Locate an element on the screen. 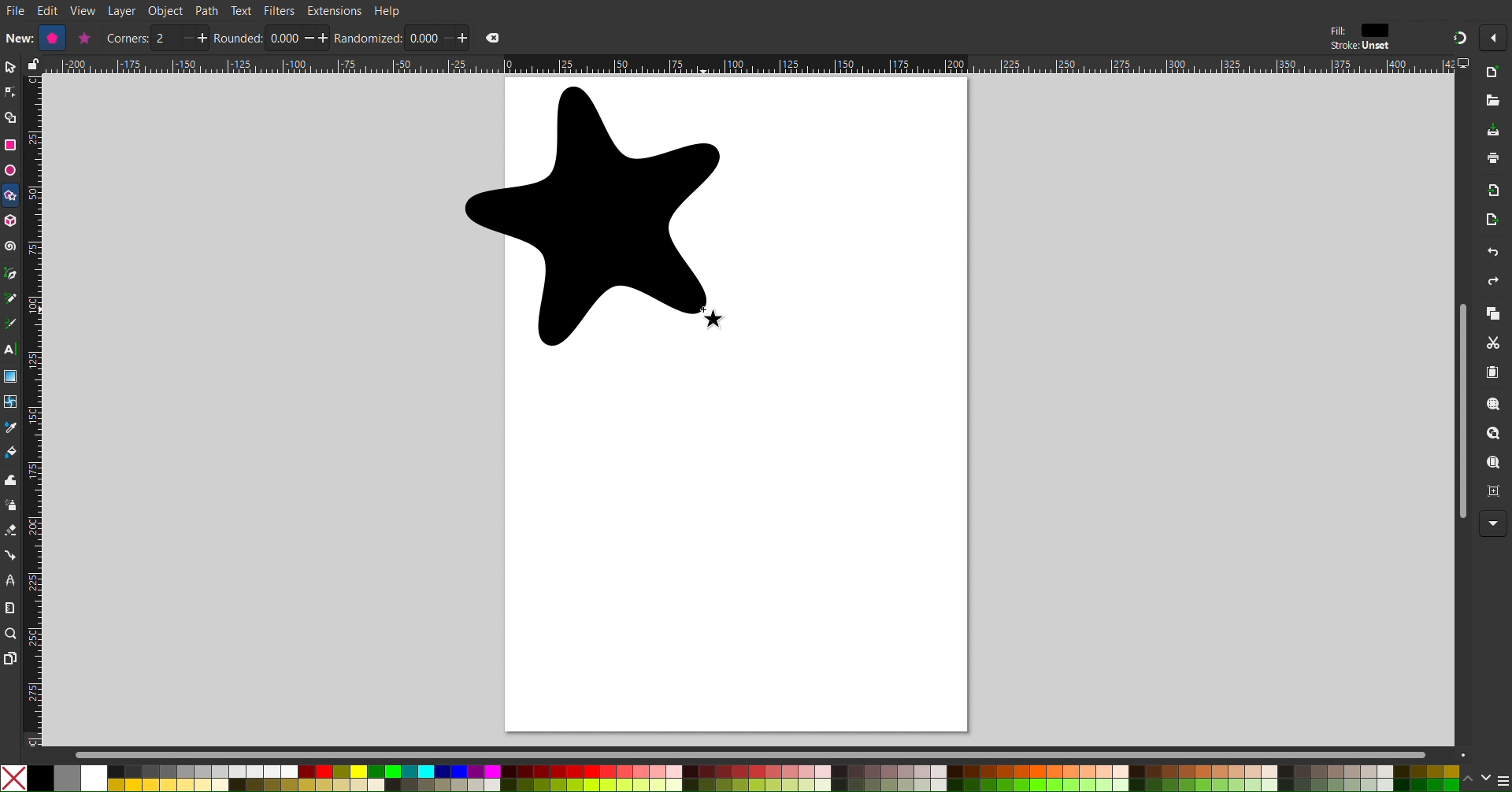 This screenshot has width=1512, height=792. Pages is located at coordinates (9, 660).